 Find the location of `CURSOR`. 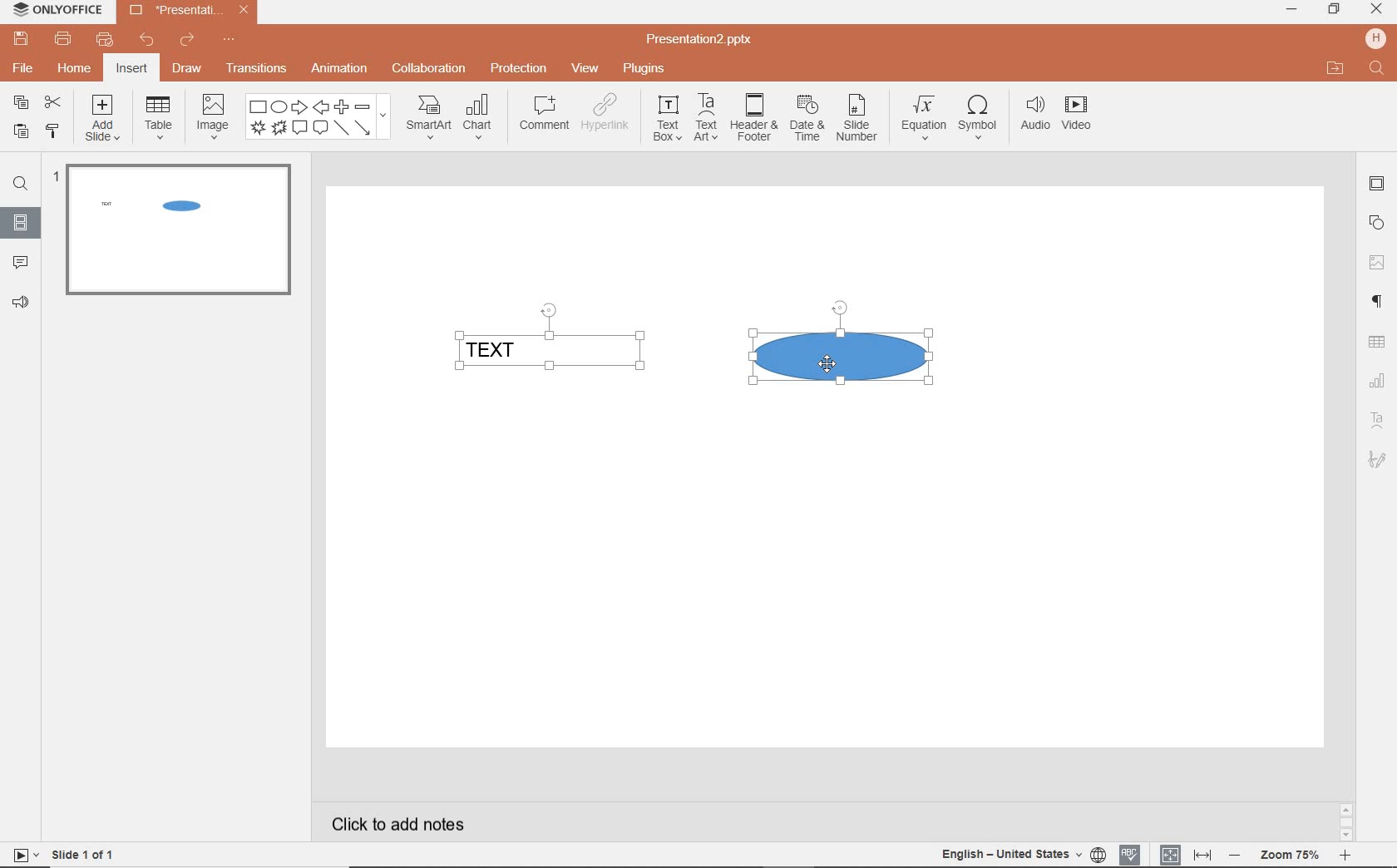

CURSOR is located at coordinates (829, 359).